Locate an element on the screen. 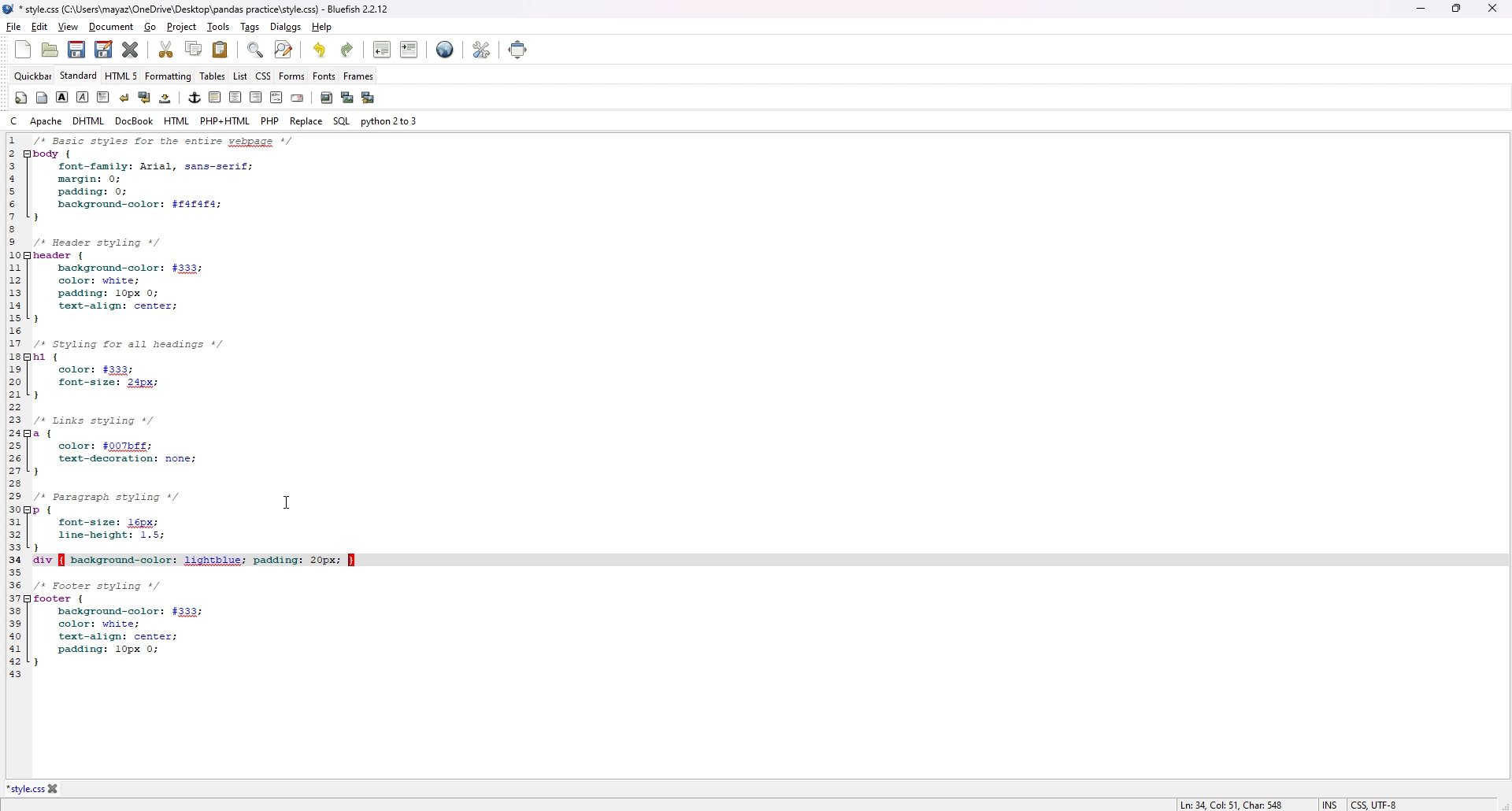  edit preference is located at coordinates (482, 50).